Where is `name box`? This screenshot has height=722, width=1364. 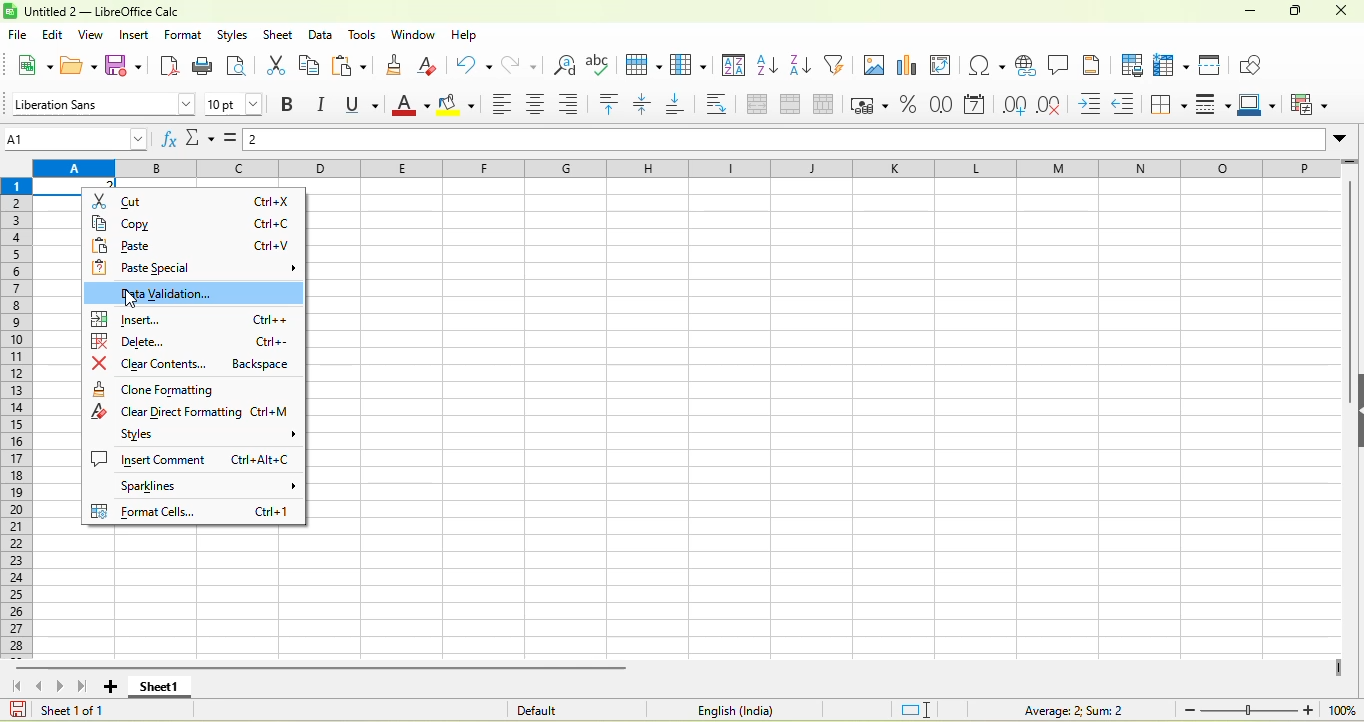 name box is located at coordinates (78, 138).